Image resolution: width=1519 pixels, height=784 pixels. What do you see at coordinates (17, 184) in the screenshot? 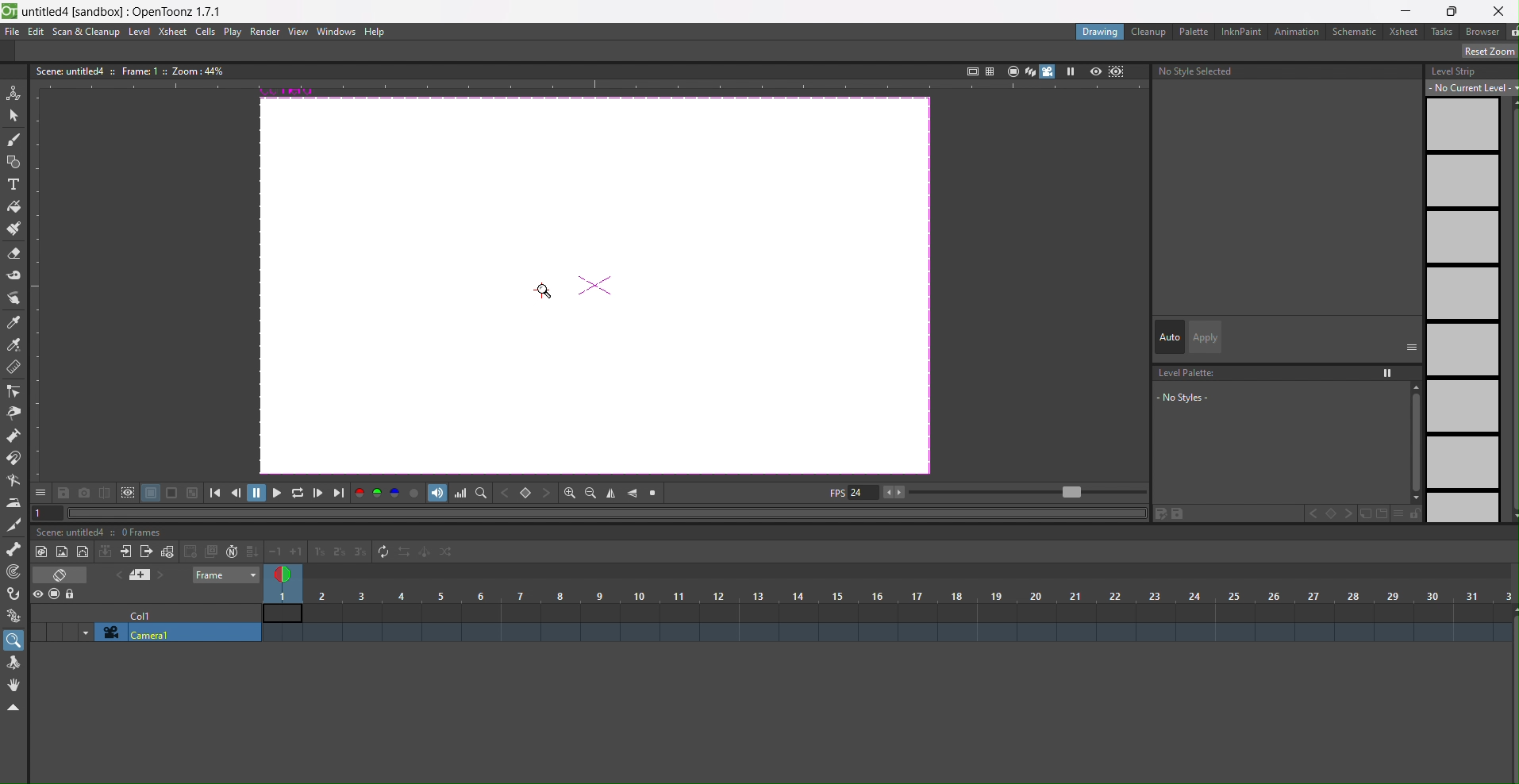
I see `type tool ` at bounding box center [17, 184].